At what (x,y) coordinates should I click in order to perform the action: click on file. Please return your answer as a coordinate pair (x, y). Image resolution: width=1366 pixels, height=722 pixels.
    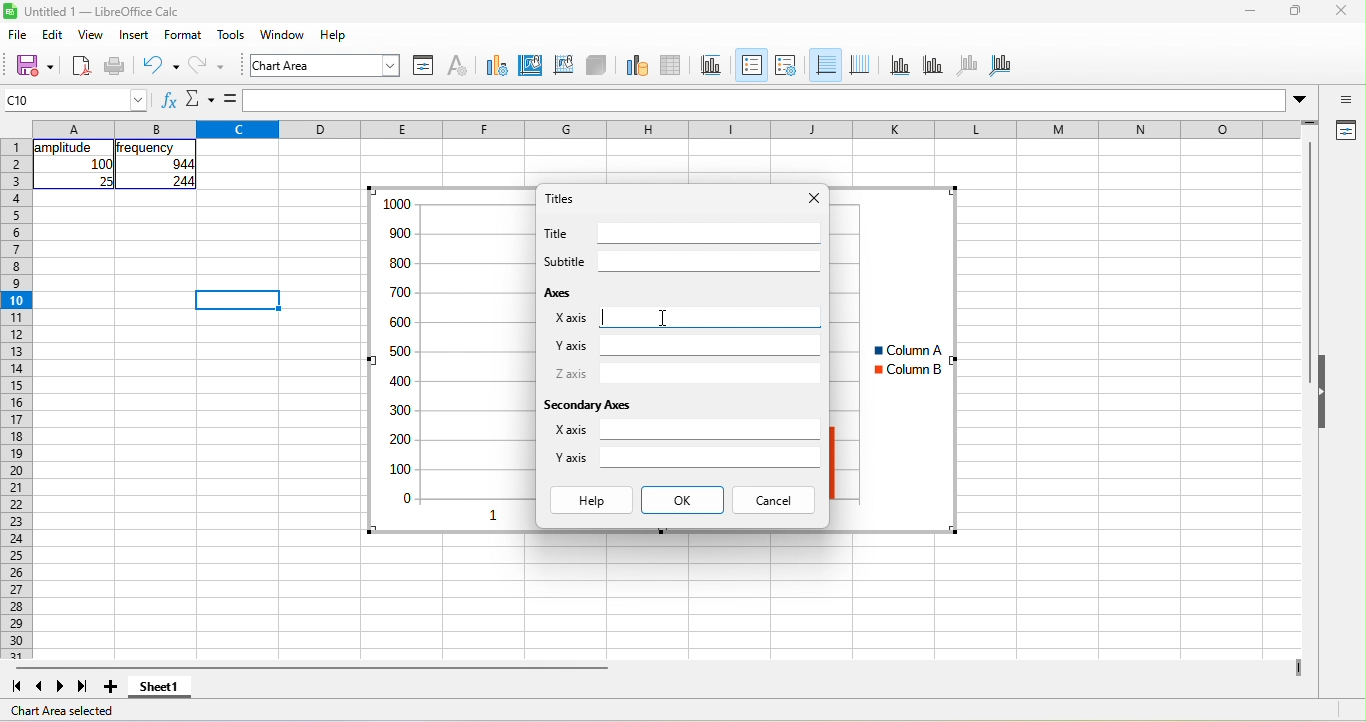
    Looking at the image, I should click on (18, 34).